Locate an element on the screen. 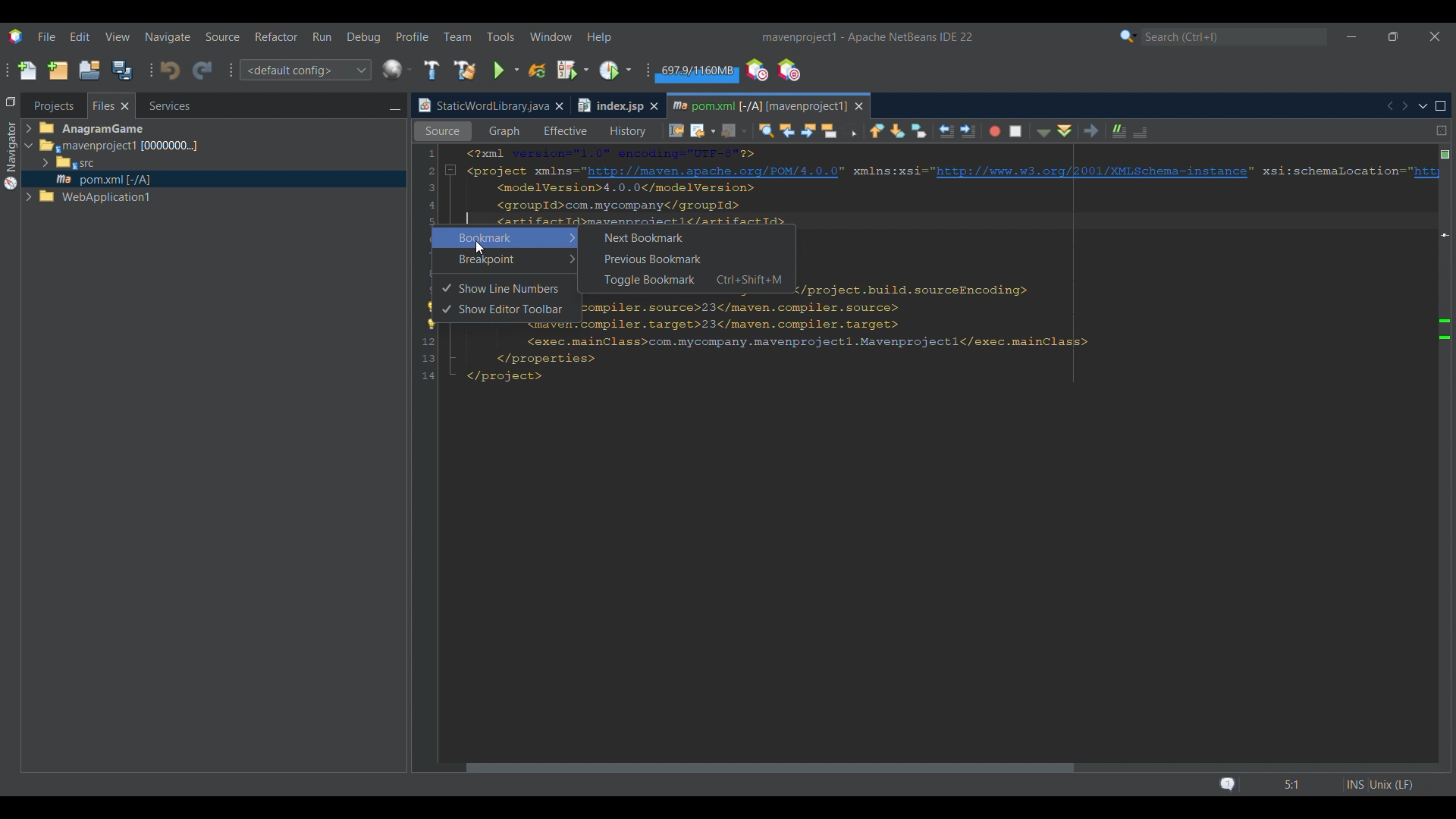 The width and height of the screenshot is (1456, 819). Bookmark is located at coordinates (1445, 182).